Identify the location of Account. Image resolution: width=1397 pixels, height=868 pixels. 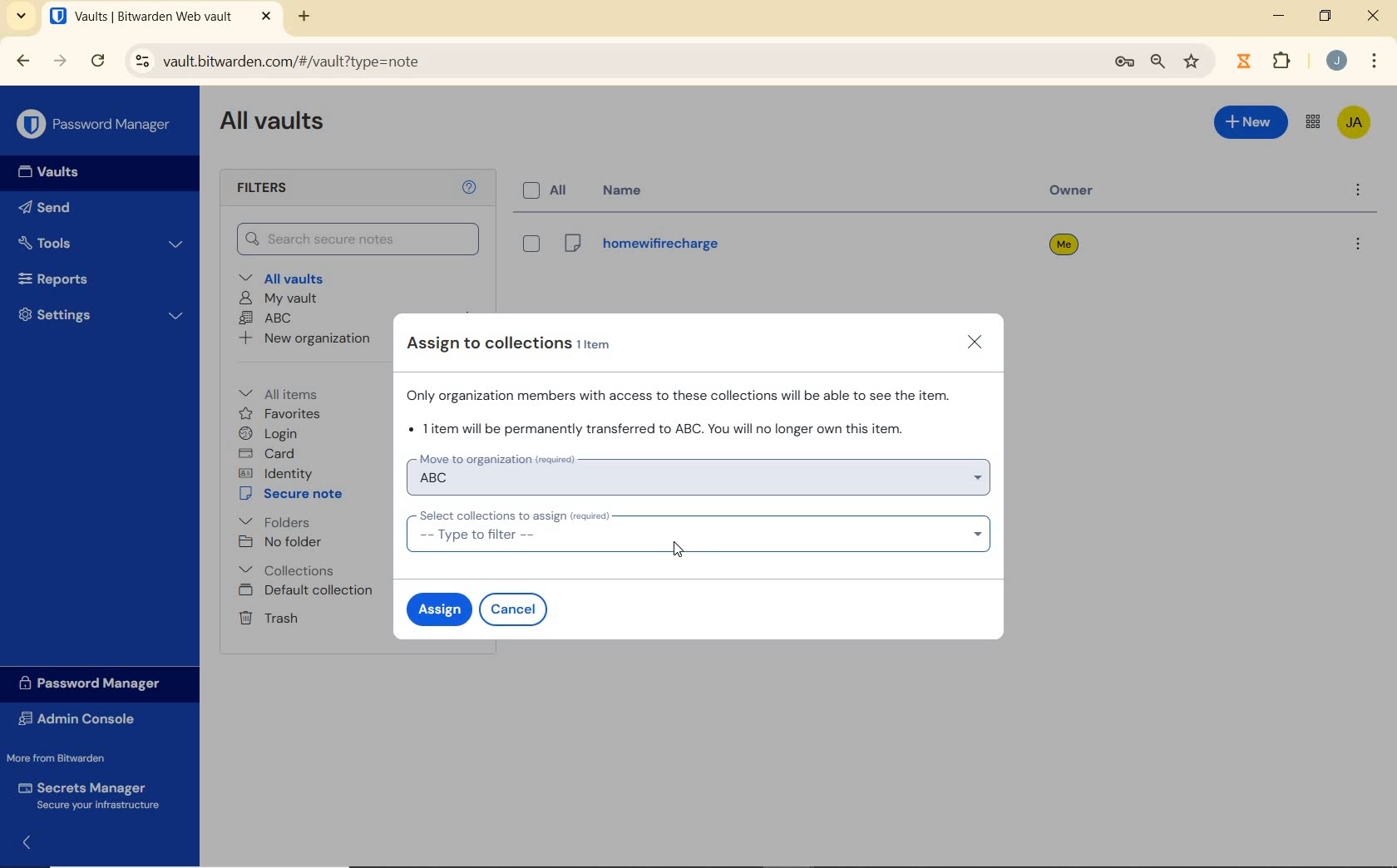
(1335, 60).